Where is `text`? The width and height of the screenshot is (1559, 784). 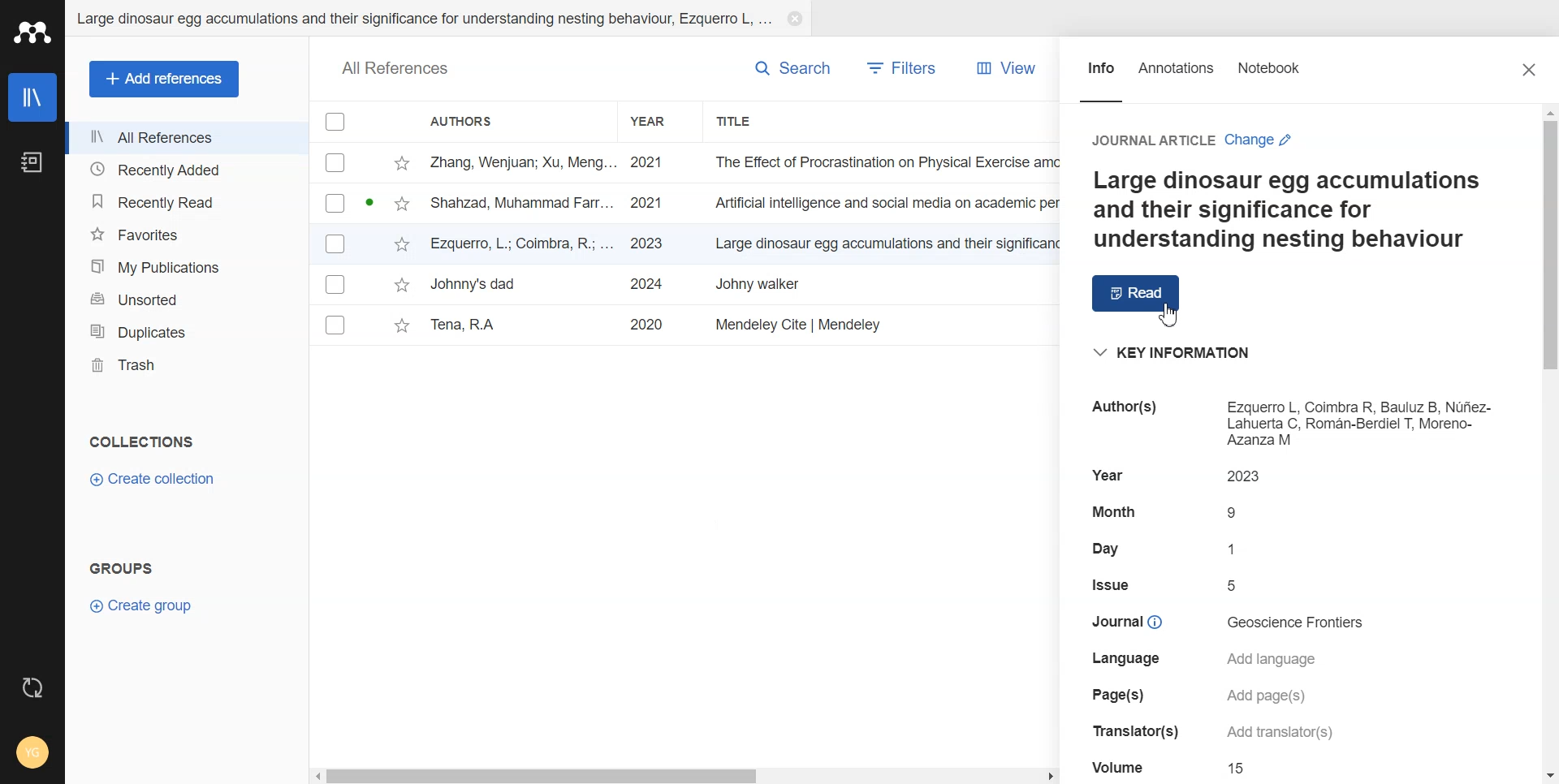
text is located at coordinates (1113, 510).